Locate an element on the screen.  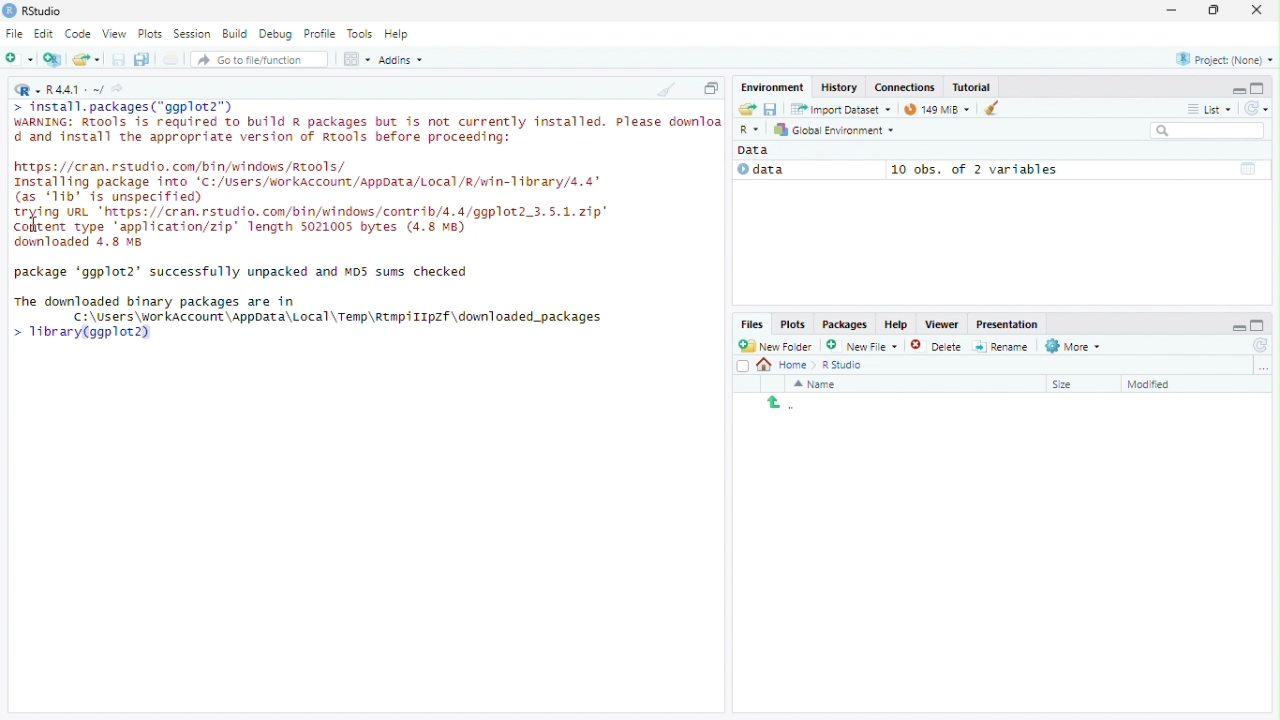
Build is located at coordinates (237, 34).